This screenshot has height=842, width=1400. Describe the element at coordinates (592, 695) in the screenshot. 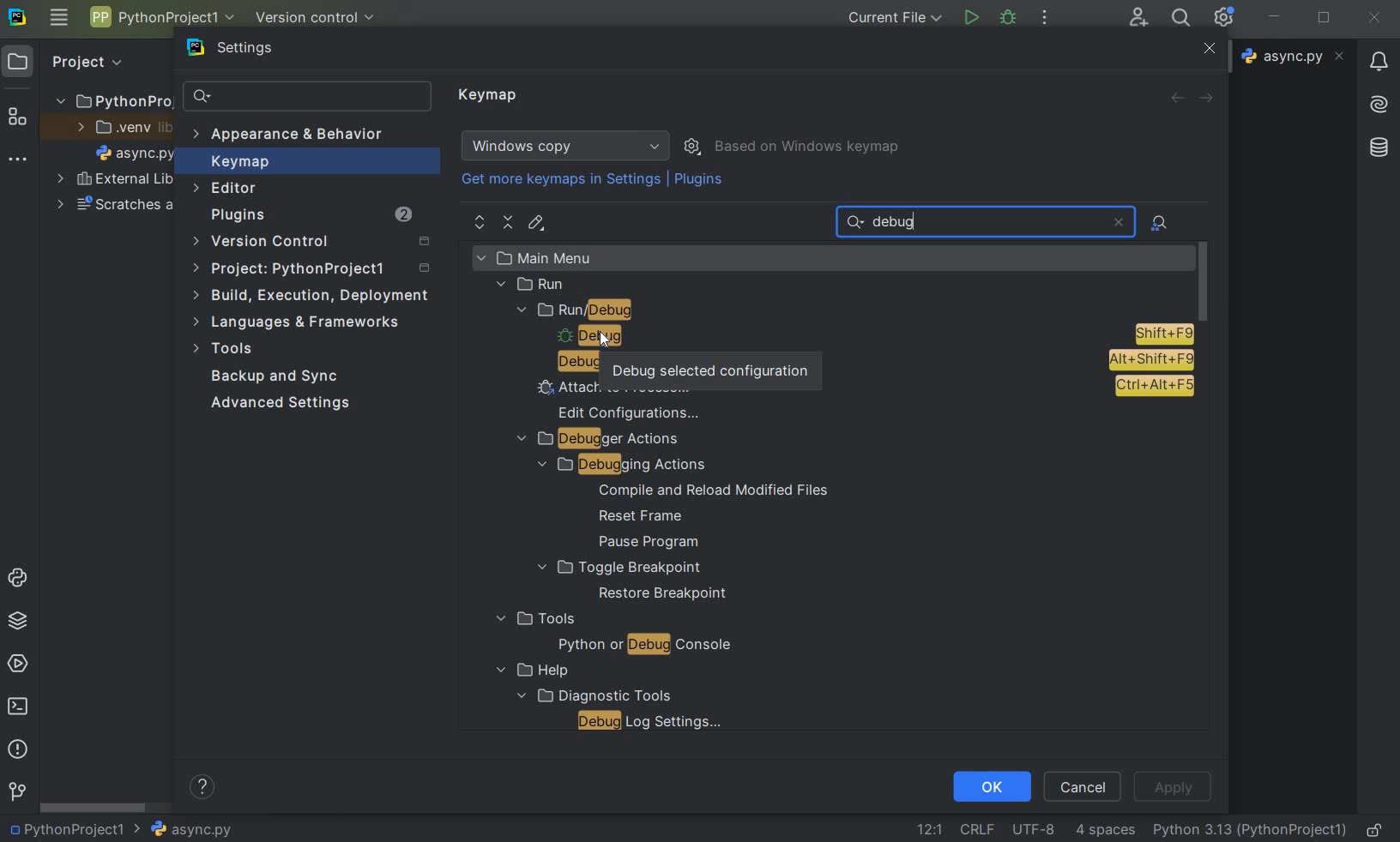

I see `diagnostic tools` at that location.